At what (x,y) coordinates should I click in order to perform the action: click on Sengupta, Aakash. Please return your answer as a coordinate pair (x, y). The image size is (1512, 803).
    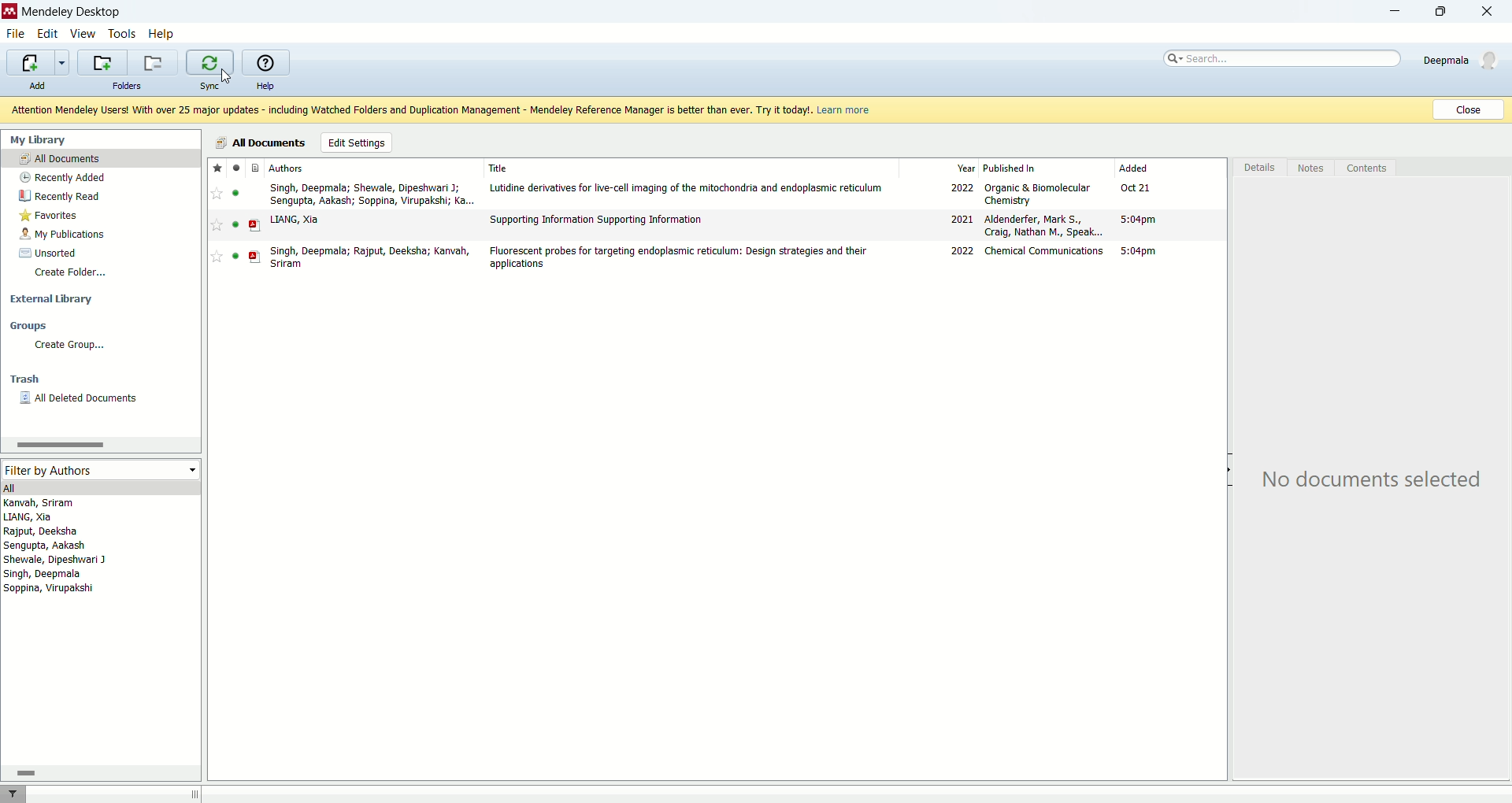
    Looking at the image, I should click on (47, 546).